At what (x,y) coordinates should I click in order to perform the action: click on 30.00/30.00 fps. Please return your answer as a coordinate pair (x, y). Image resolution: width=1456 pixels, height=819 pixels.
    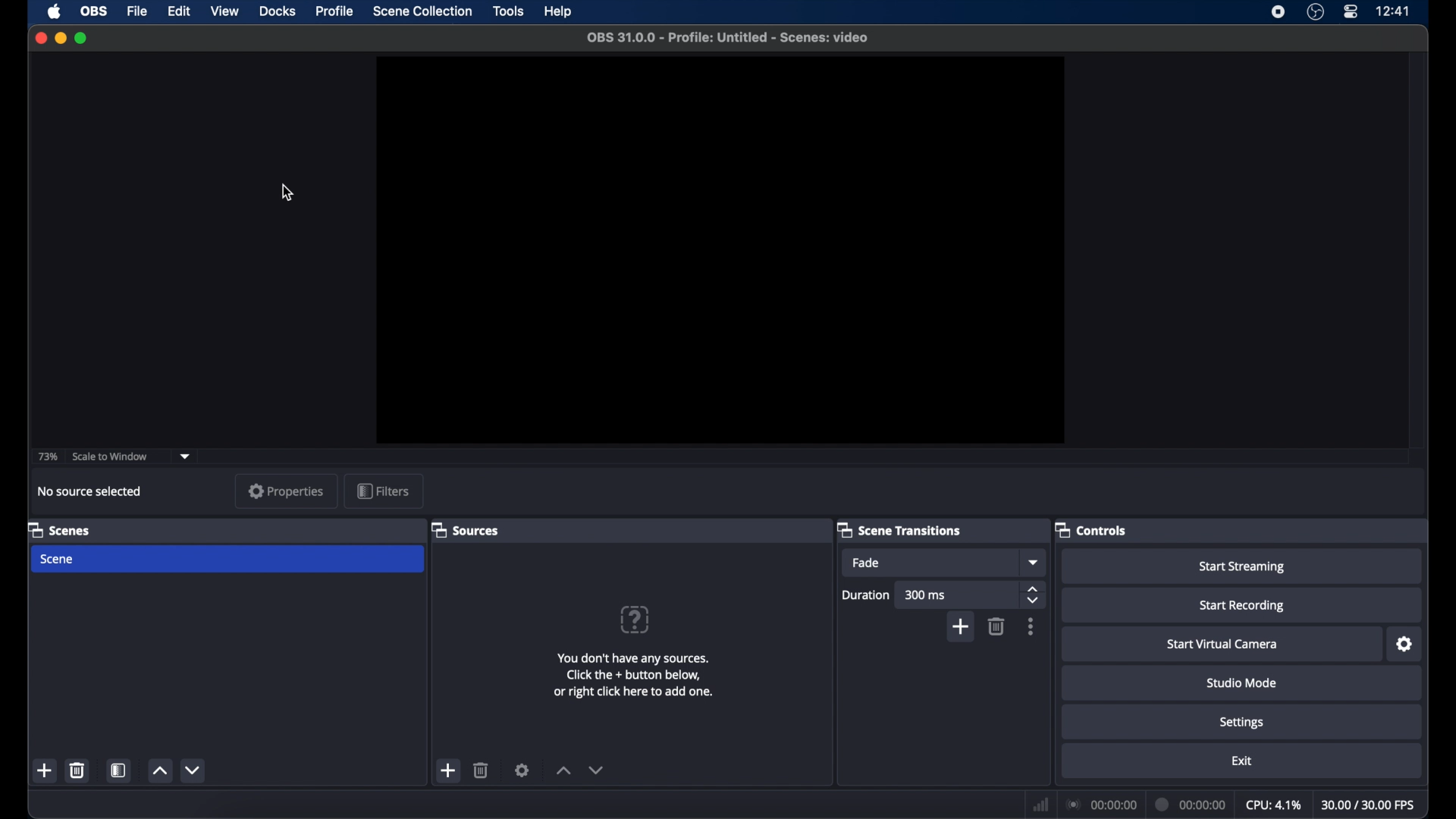
    Looking at the image, I should click on (1371, 805).